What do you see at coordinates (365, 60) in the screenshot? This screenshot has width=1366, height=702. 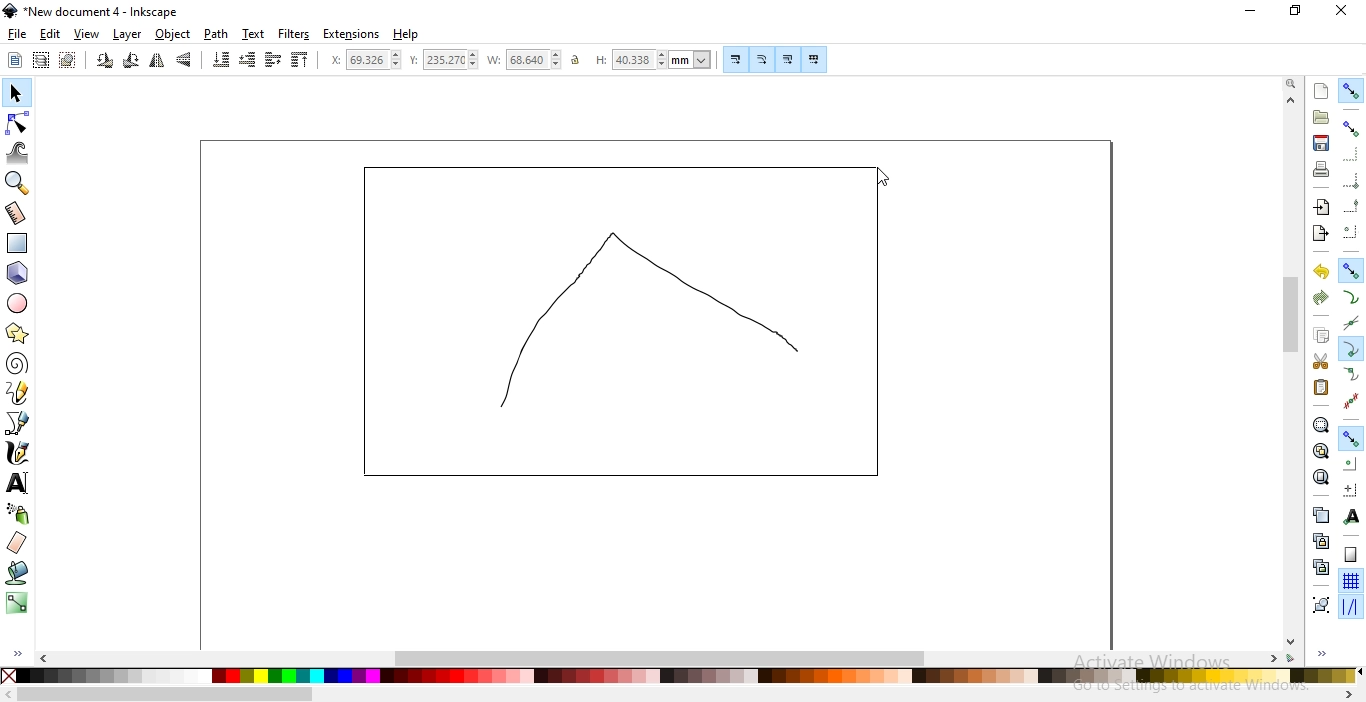 I see `horizontal coordinate of selection` at bounding box center [365, 60].